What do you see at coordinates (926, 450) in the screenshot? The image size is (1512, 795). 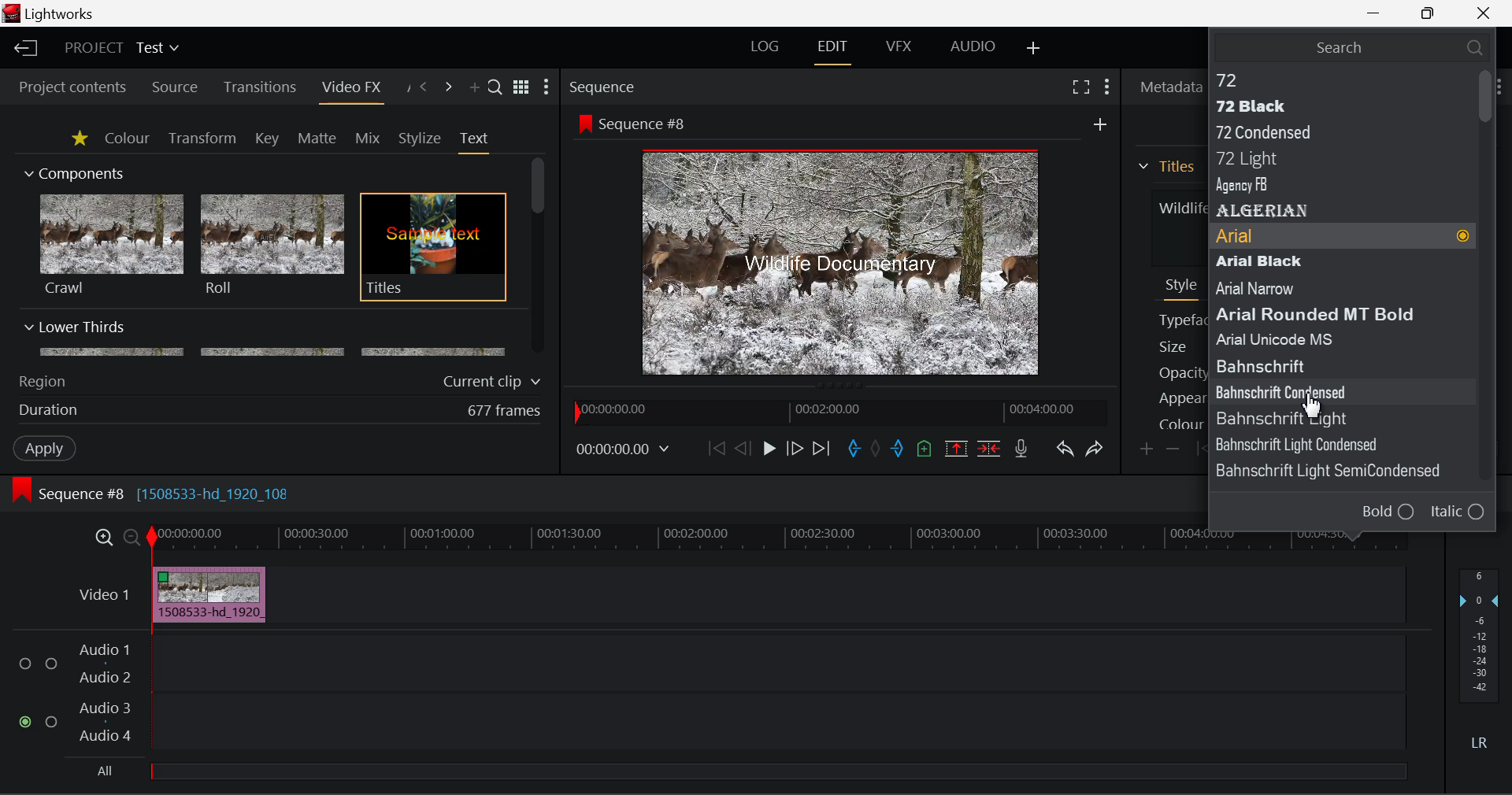 I see `Mark Cue` at bounding box center [926, 450].